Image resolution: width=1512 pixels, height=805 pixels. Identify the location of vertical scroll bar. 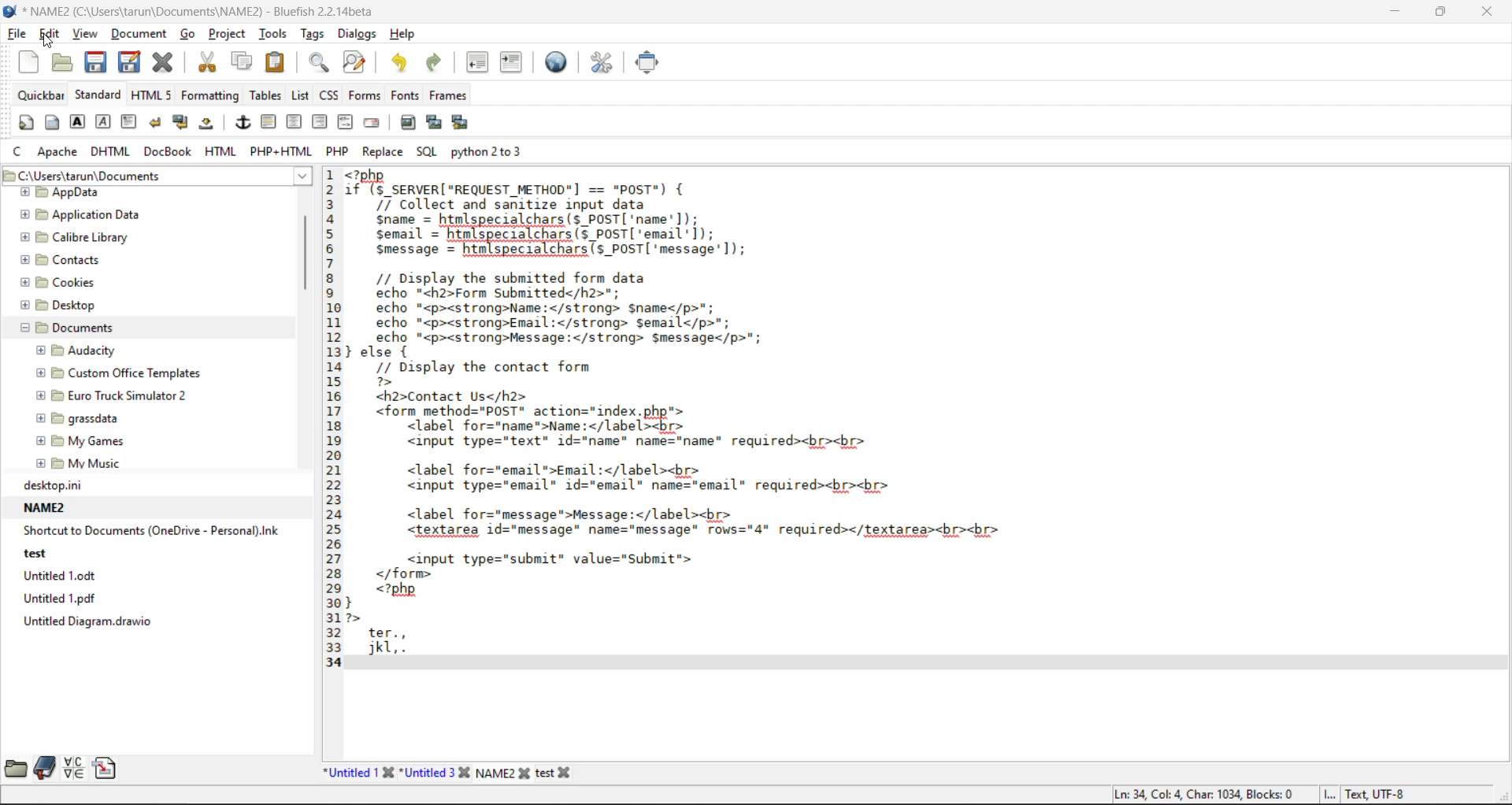
(303, 254).